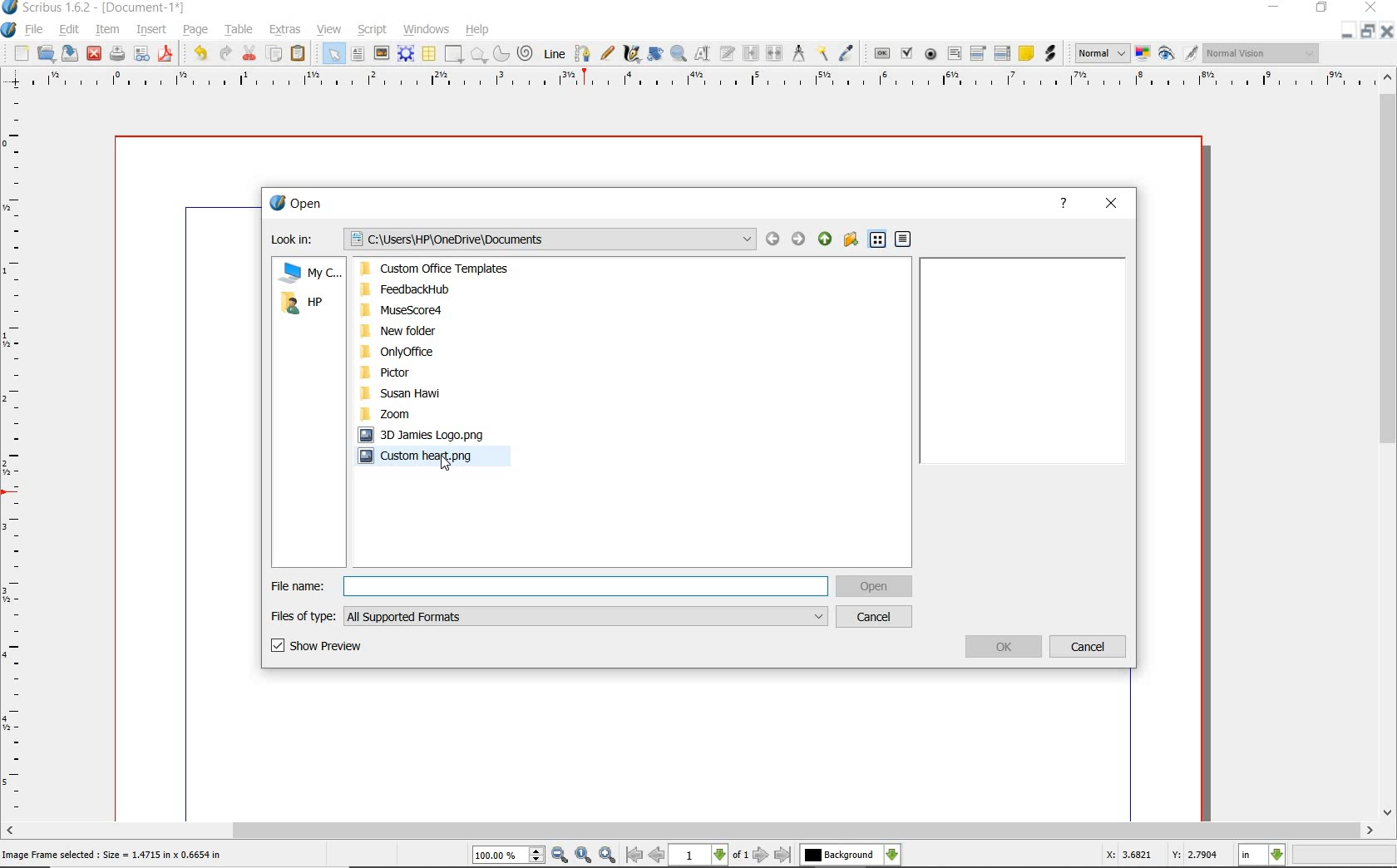 This screenshot has height=868, width=1397. Describe the element at coordinates (35, 31) in the screenshot. I see `file` at that location.